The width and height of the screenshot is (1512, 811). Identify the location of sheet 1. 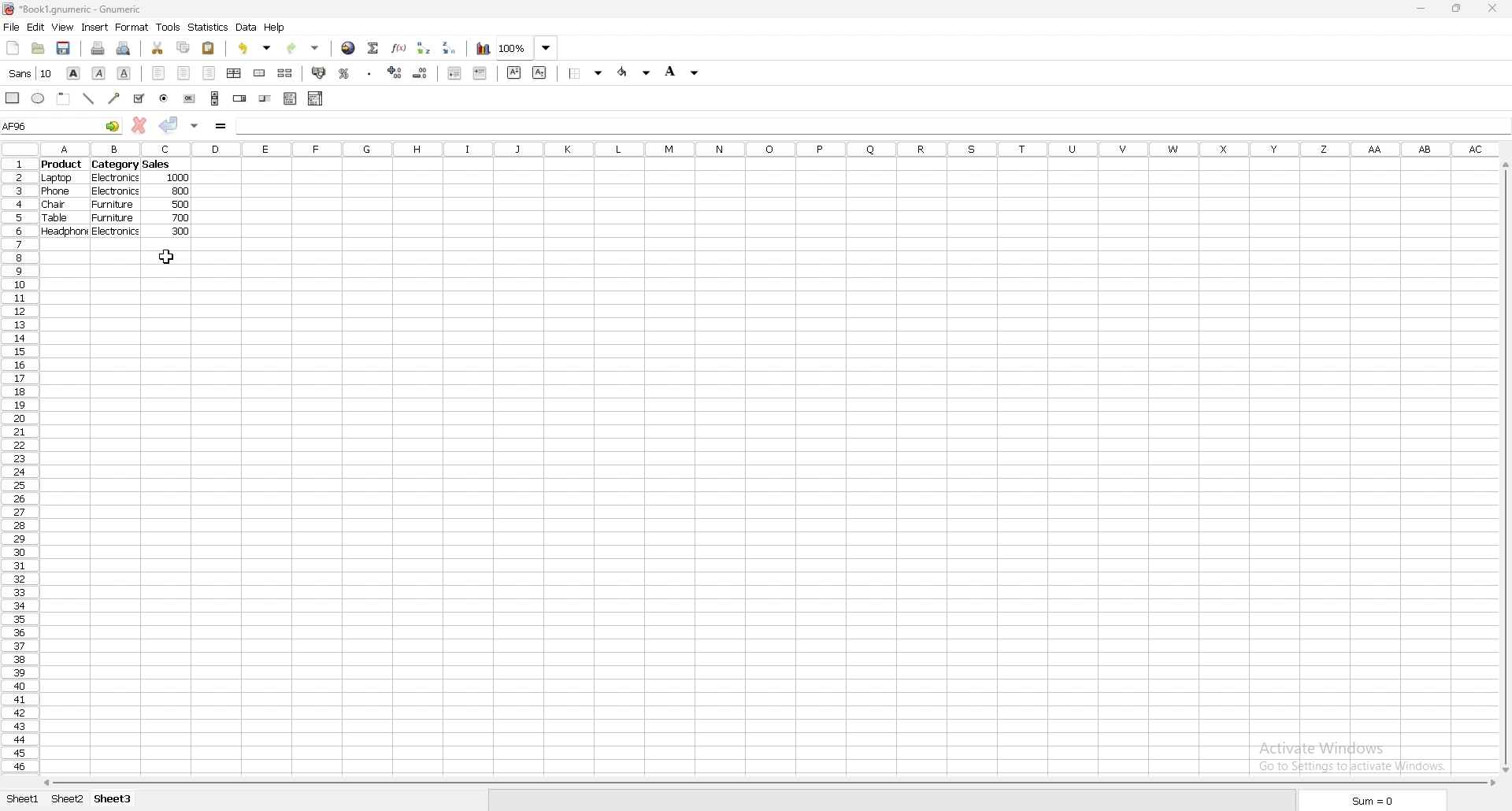
(22, 800).